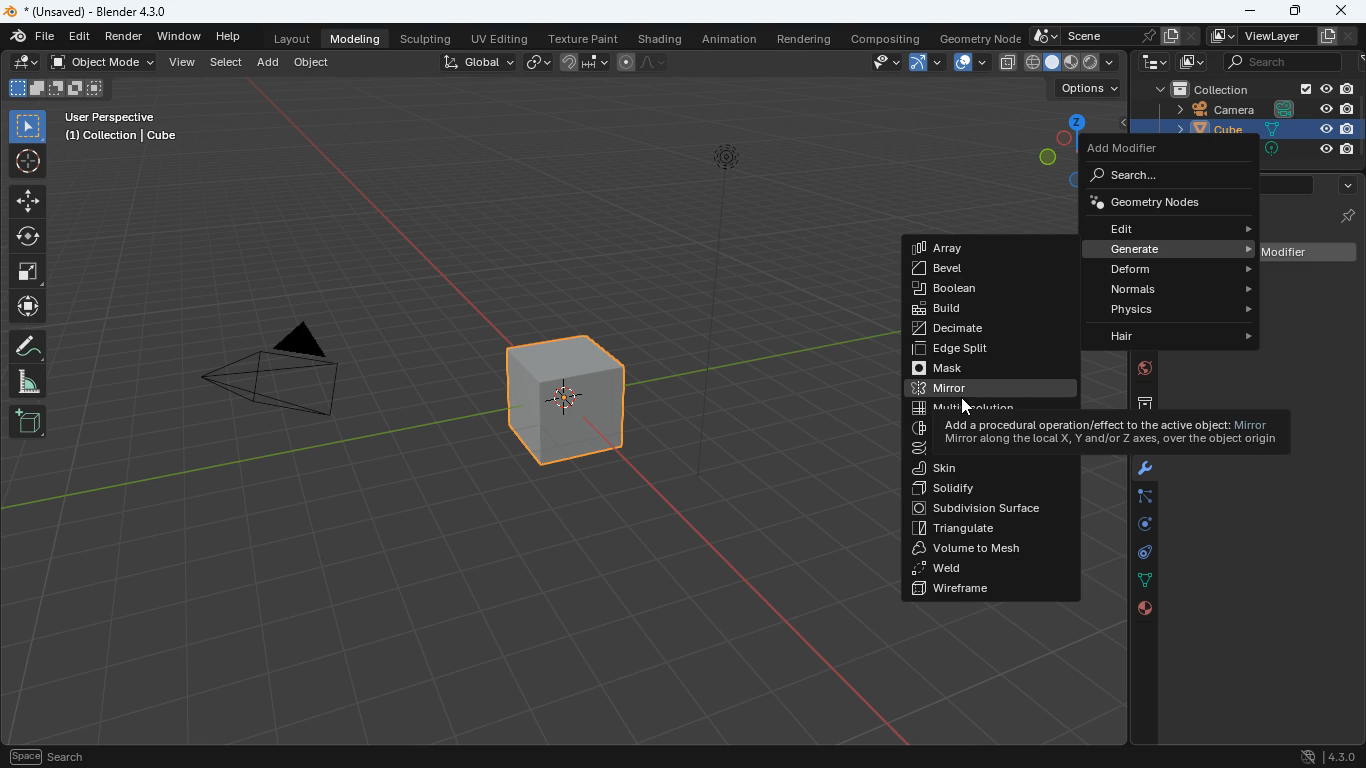  I want to click on minimize, so click(1248, 12).